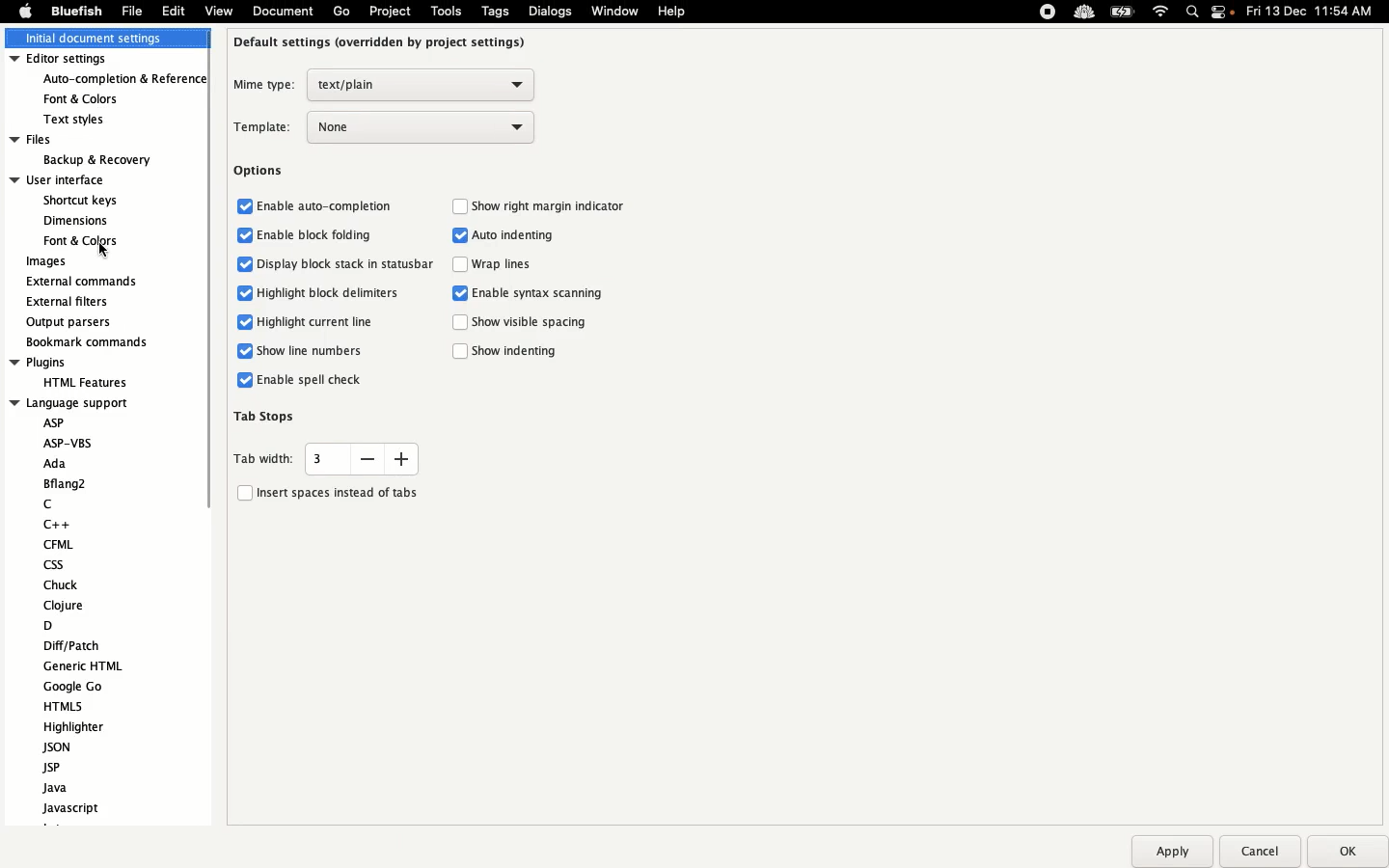 Image resolution: width=1389 pixels, height=868 pixels. Describe the element at coordinates (382, 41) in the screenshot. I see `Default settings` at that location.